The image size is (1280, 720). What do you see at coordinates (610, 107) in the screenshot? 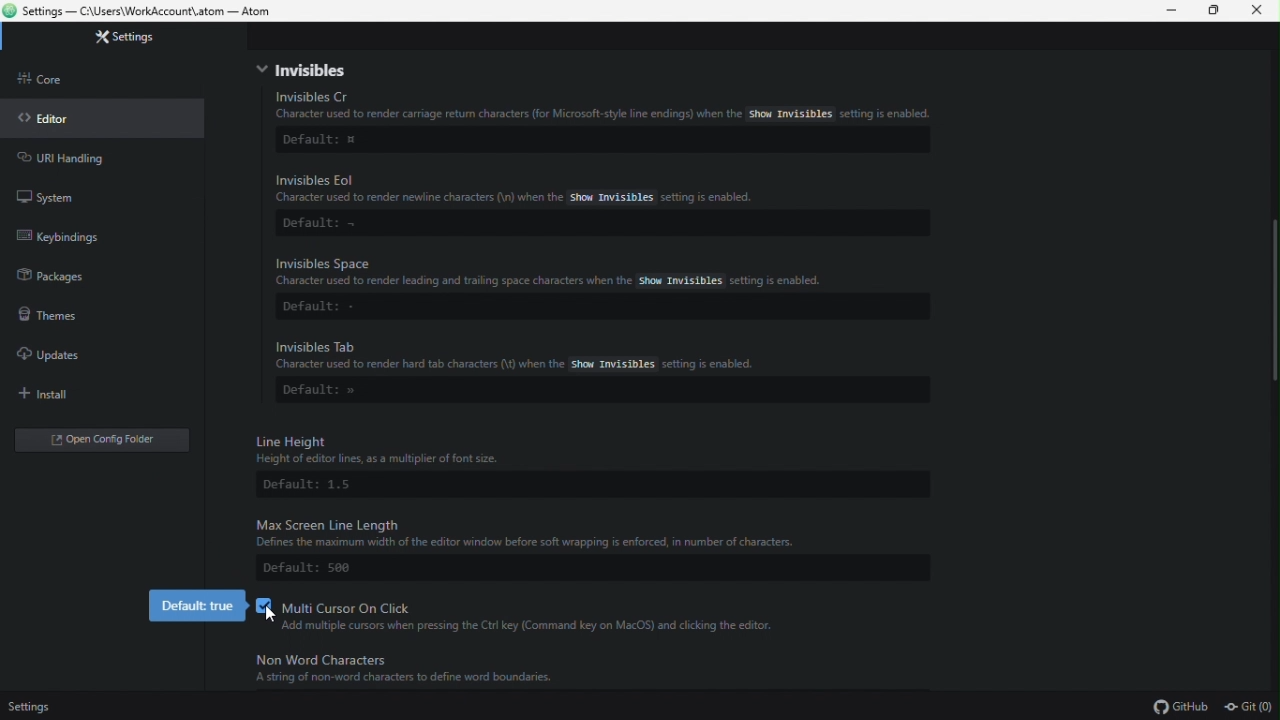
I see `Invisibles Cr
Character used to render carriage return characters (for Microsoft style line endings) when the Show Invisibles setting is enabled.` at bounding box center [610, 107].